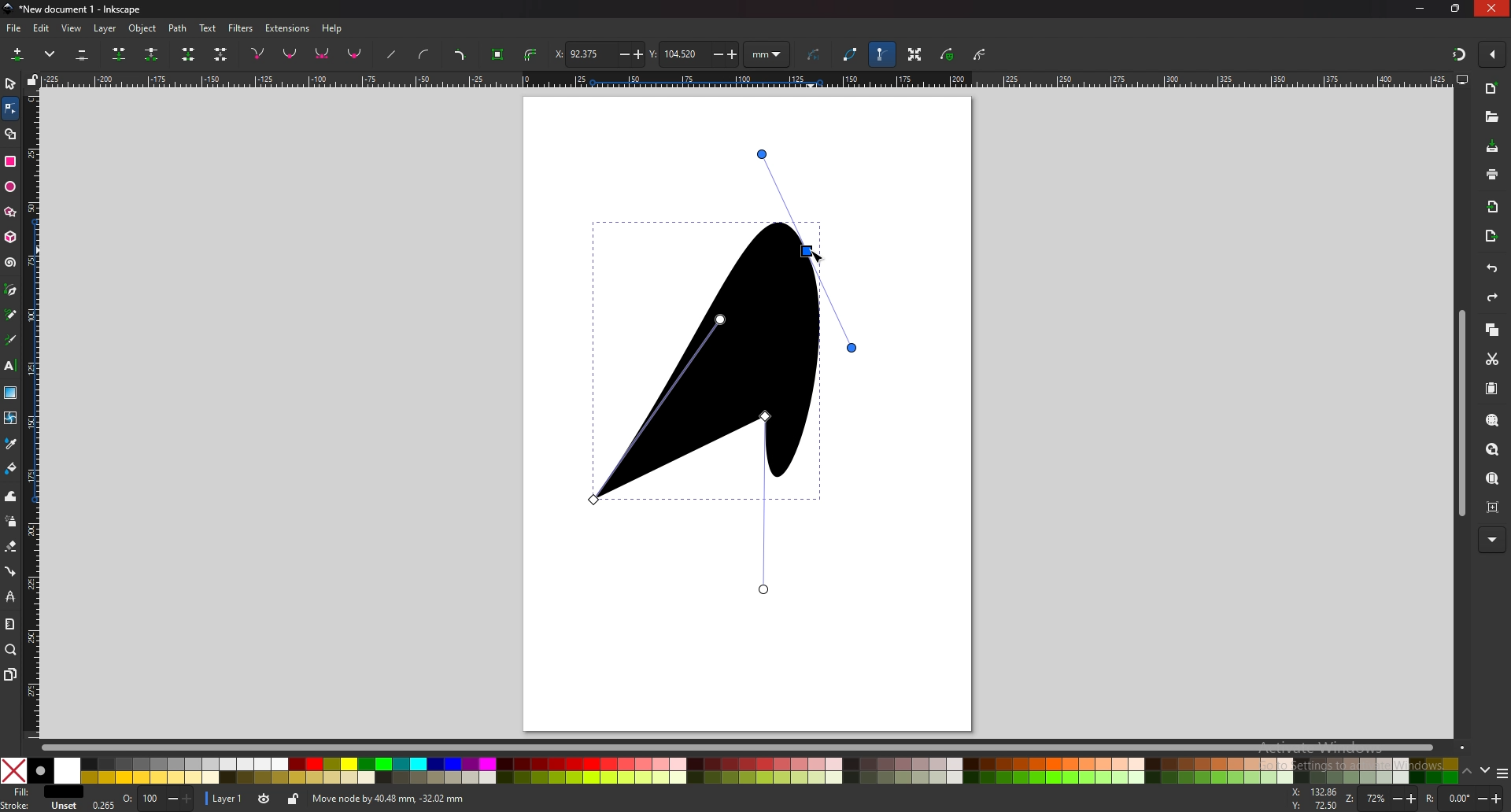 The image size is (1511, 812). I want to click on down, so click(1486, 771).